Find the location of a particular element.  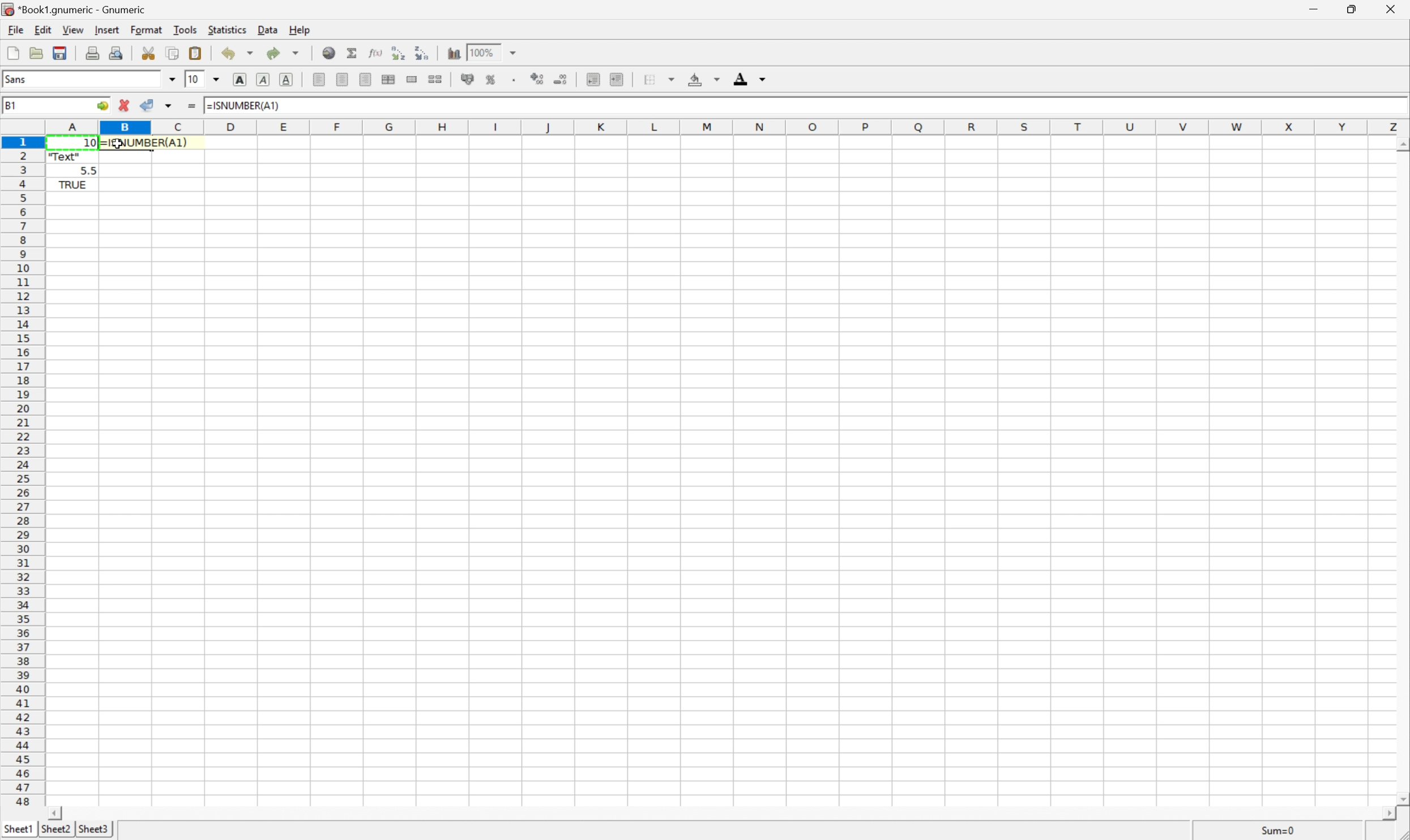

Sort the selected region in descending order based on the first column selected is located at coordinates (399, 53).